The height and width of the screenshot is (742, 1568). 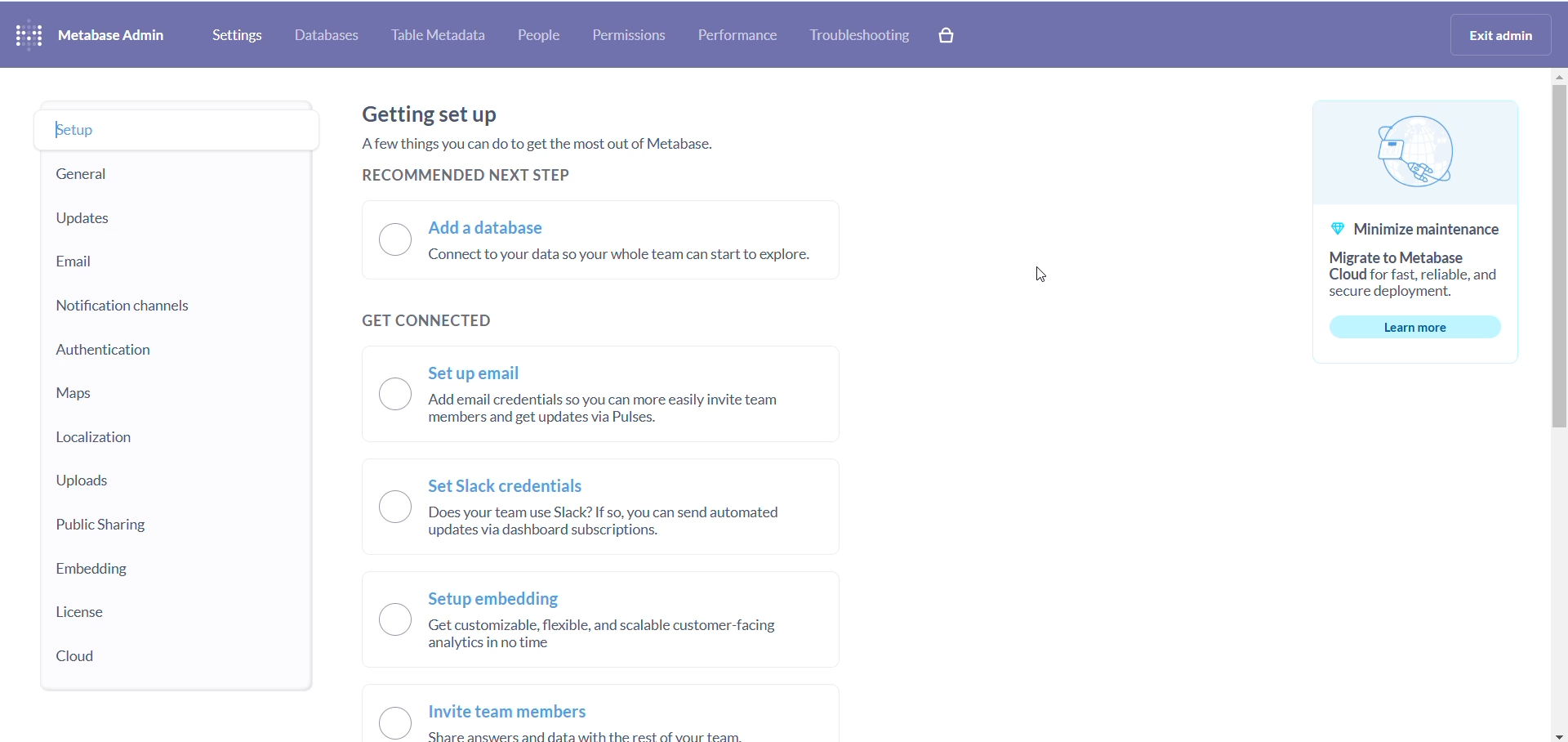 What do you see at coordinates (621, 396) in the screenshot?
I see `Set up email
| Add email credentials so you can more easily invite team
members and get updates via Pulses.` at bounding box center [621, 396].